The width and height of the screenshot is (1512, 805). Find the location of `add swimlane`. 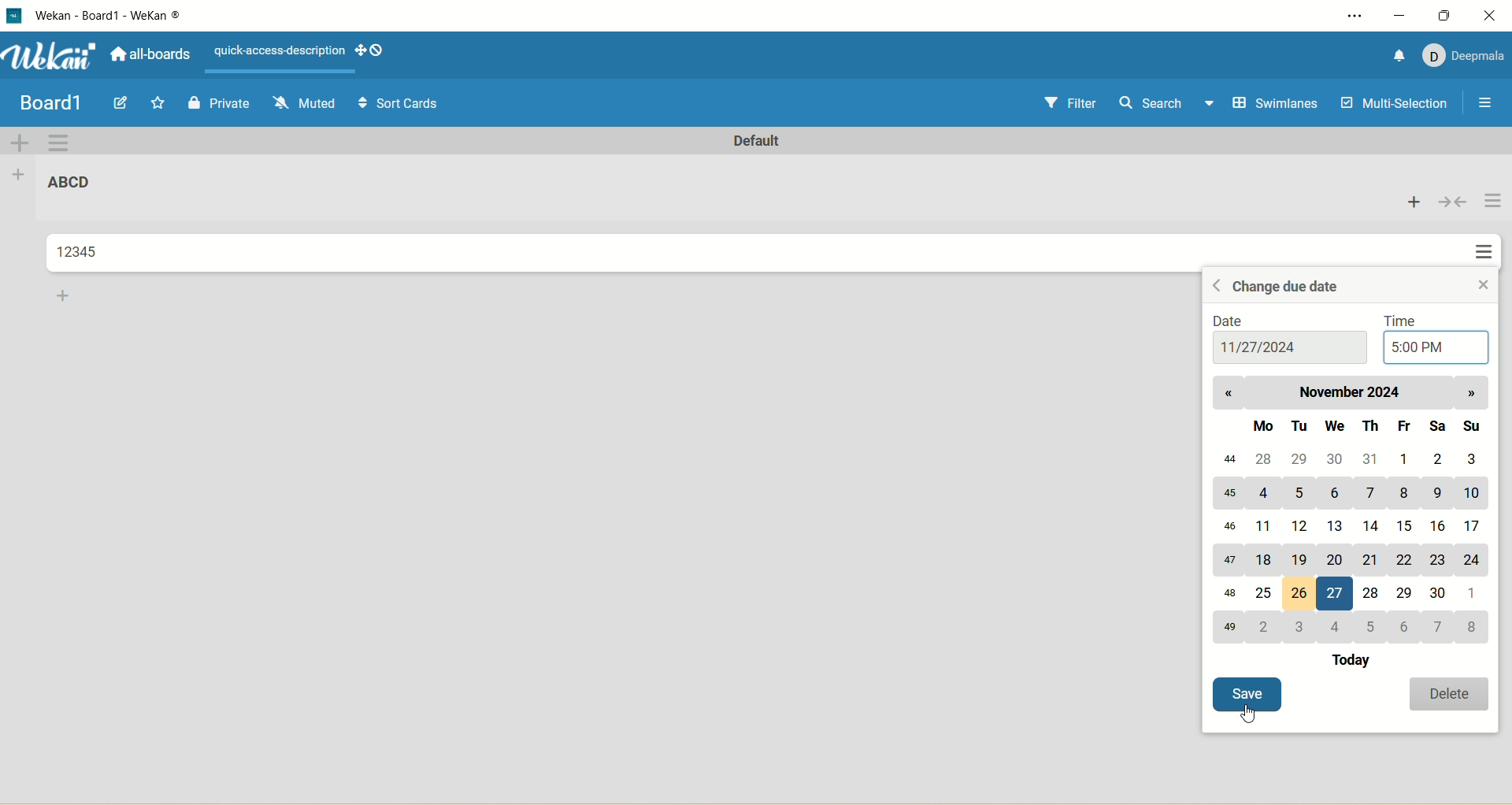

add swimlane is located at coordinates (21, 142).